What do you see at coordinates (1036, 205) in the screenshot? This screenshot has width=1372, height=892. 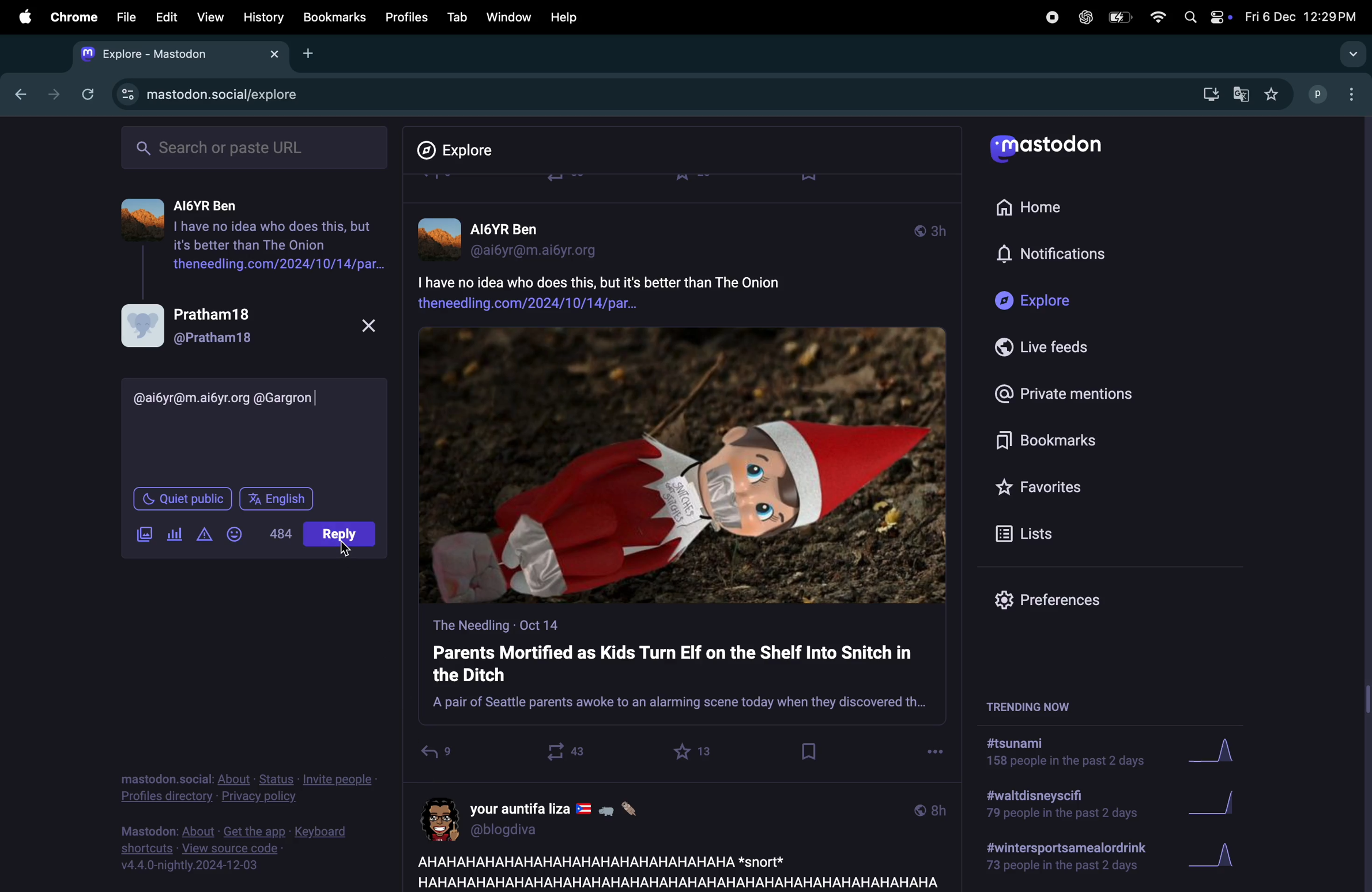 I see `Home` at bounding box center [1036, 205].